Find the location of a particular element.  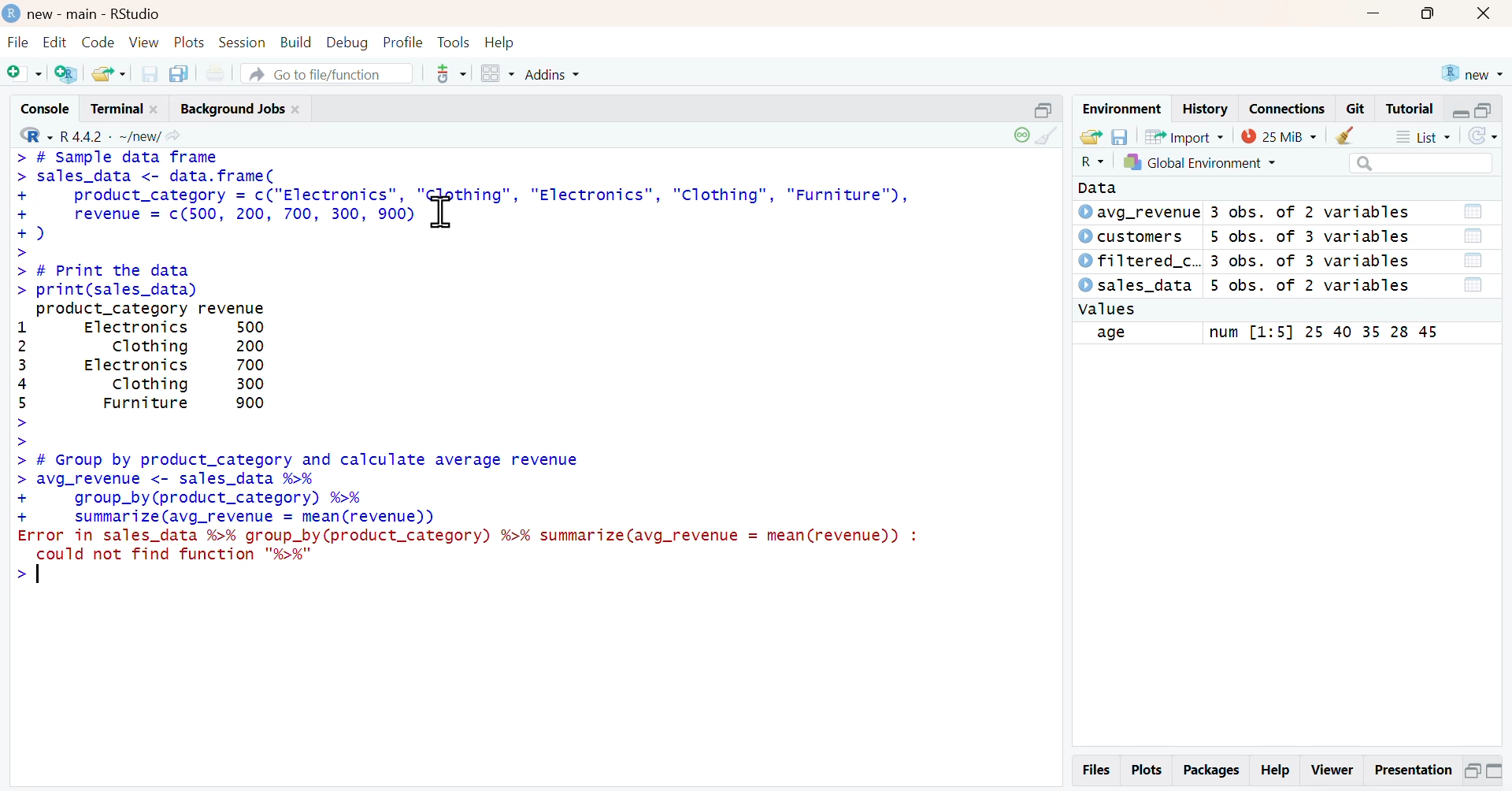

List is located at coordinates (1421, 136).